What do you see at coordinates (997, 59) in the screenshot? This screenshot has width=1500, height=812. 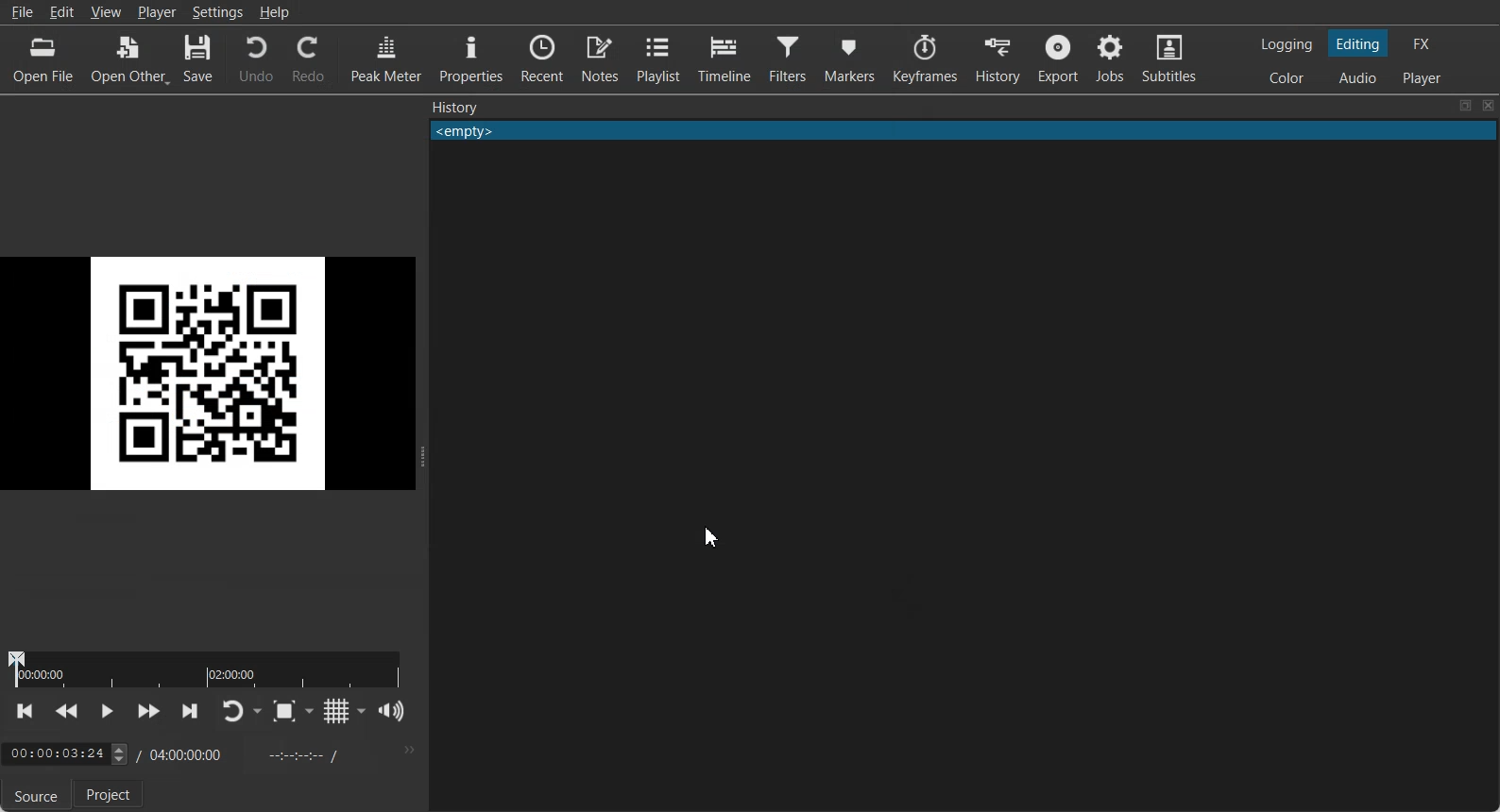 I see `History` at bounding box center [997, 59].